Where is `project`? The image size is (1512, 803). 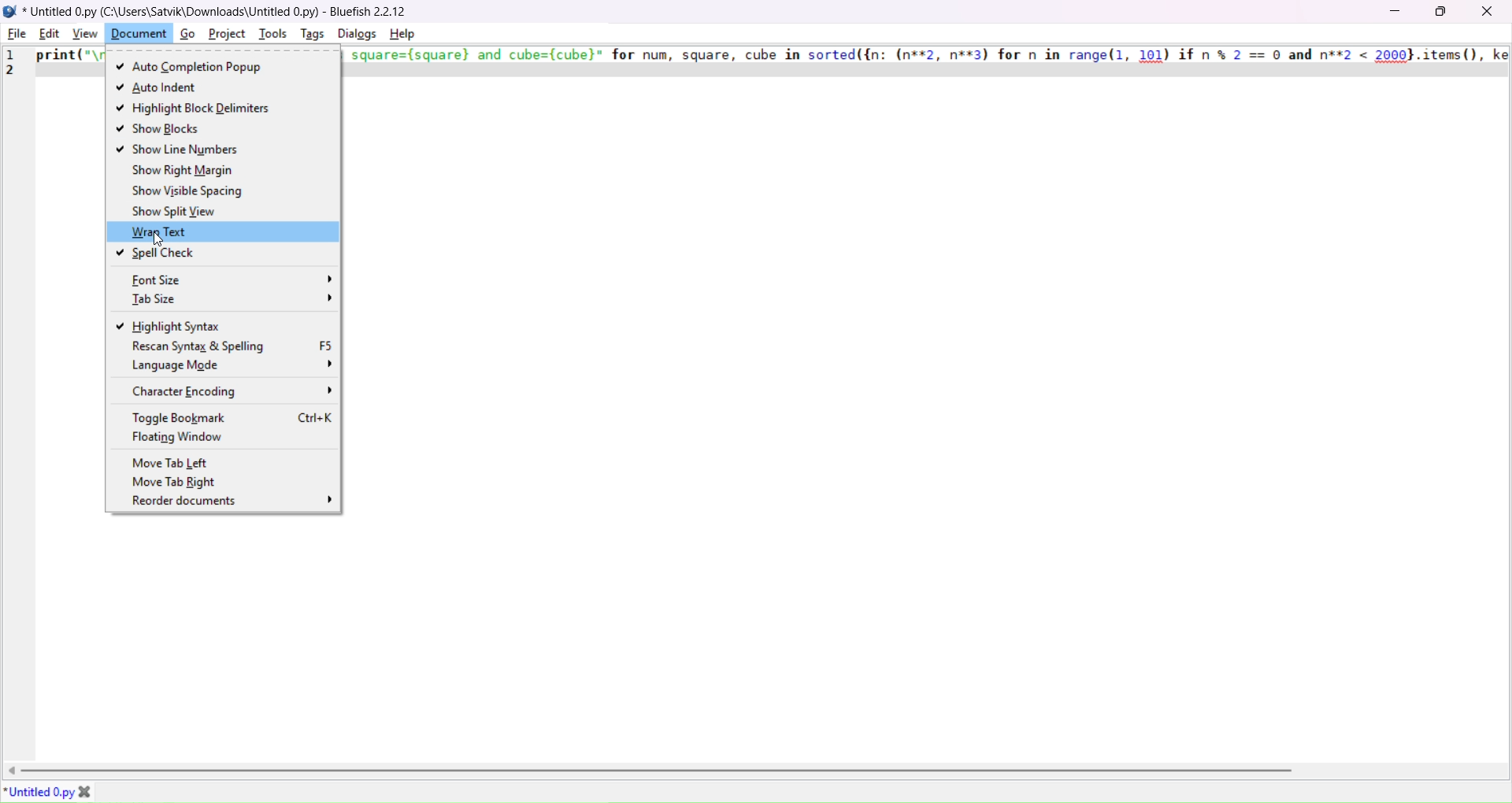 project is located at coordinates (228, 33).